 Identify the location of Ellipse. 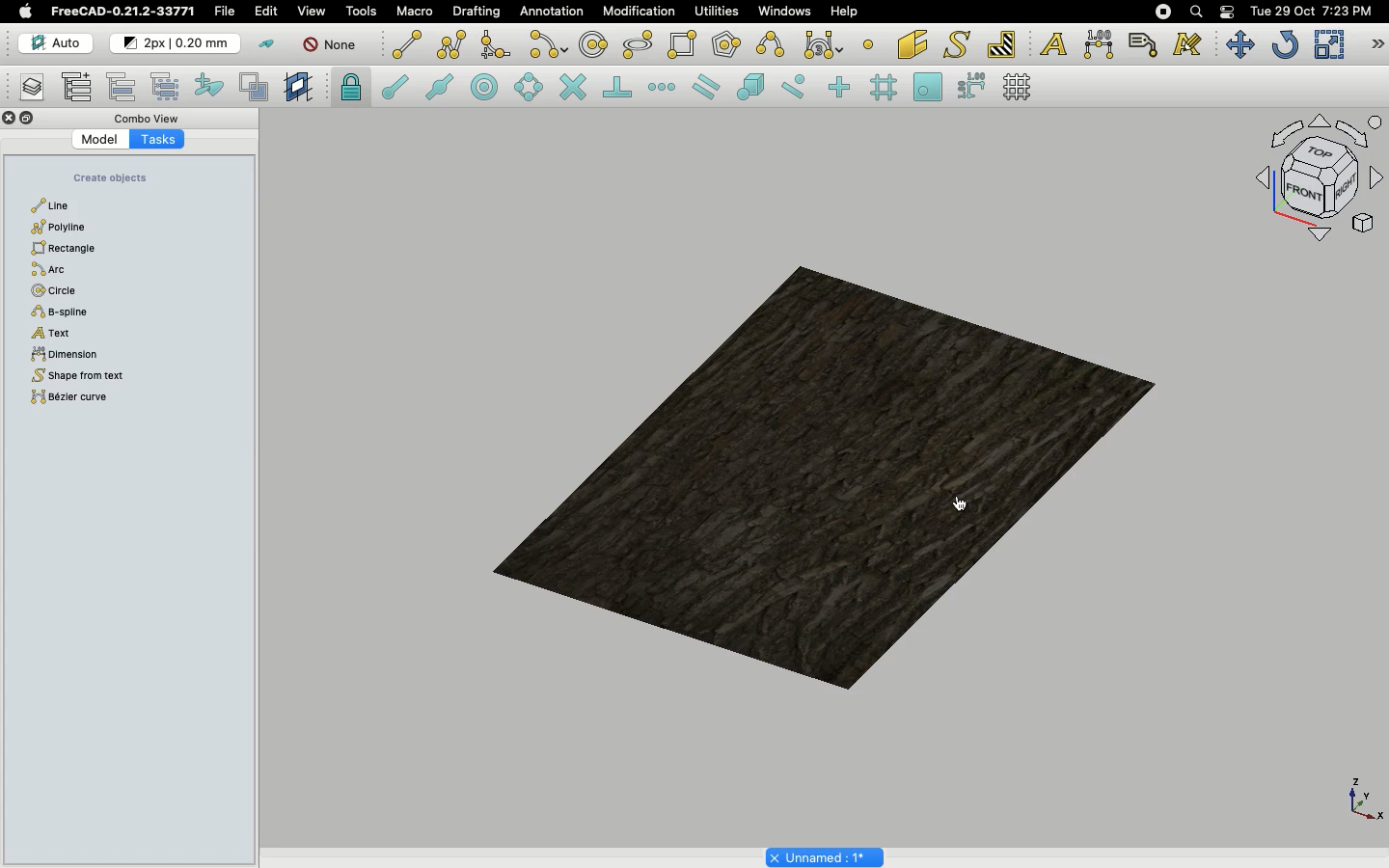
(636, 43).